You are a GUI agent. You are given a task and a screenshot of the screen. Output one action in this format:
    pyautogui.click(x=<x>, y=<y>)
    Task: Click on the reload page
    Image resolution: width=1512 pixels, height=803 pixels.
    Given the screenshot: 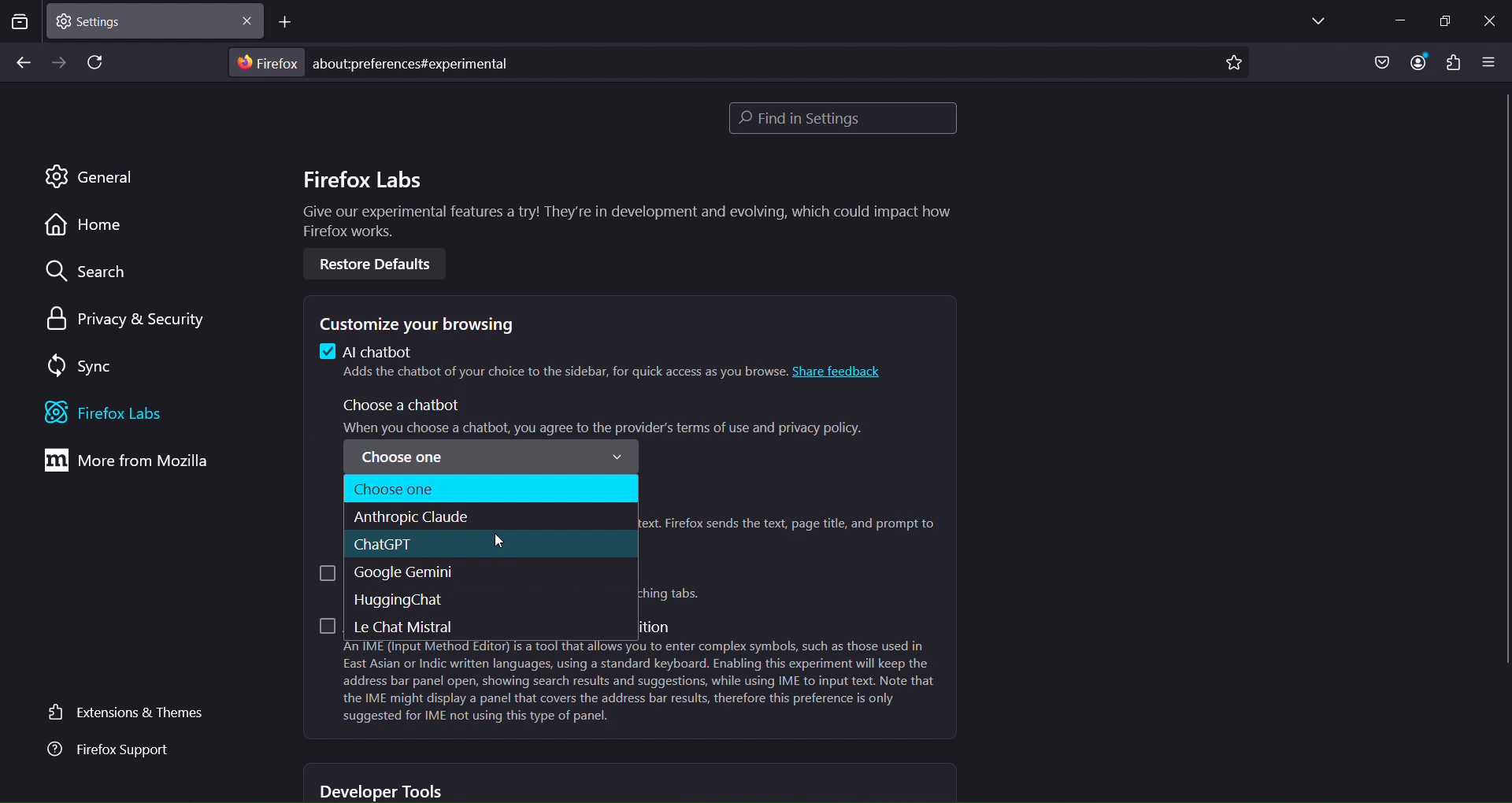 What is the action you would take?
    pyautogui.click(x=98, y=64)
    